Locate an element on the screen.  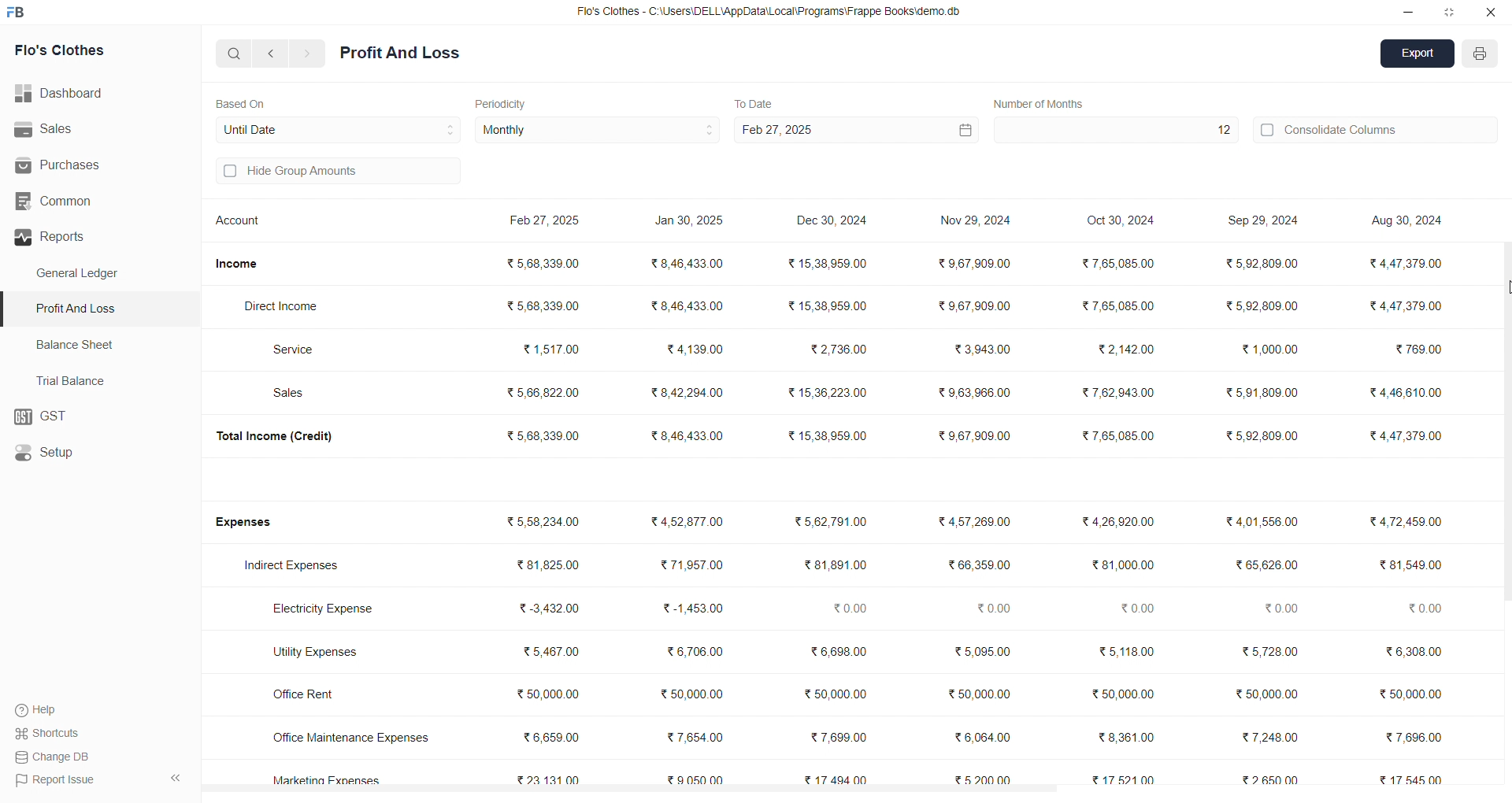
₹5,92,809.00 is located at coordinates (1262, 262).